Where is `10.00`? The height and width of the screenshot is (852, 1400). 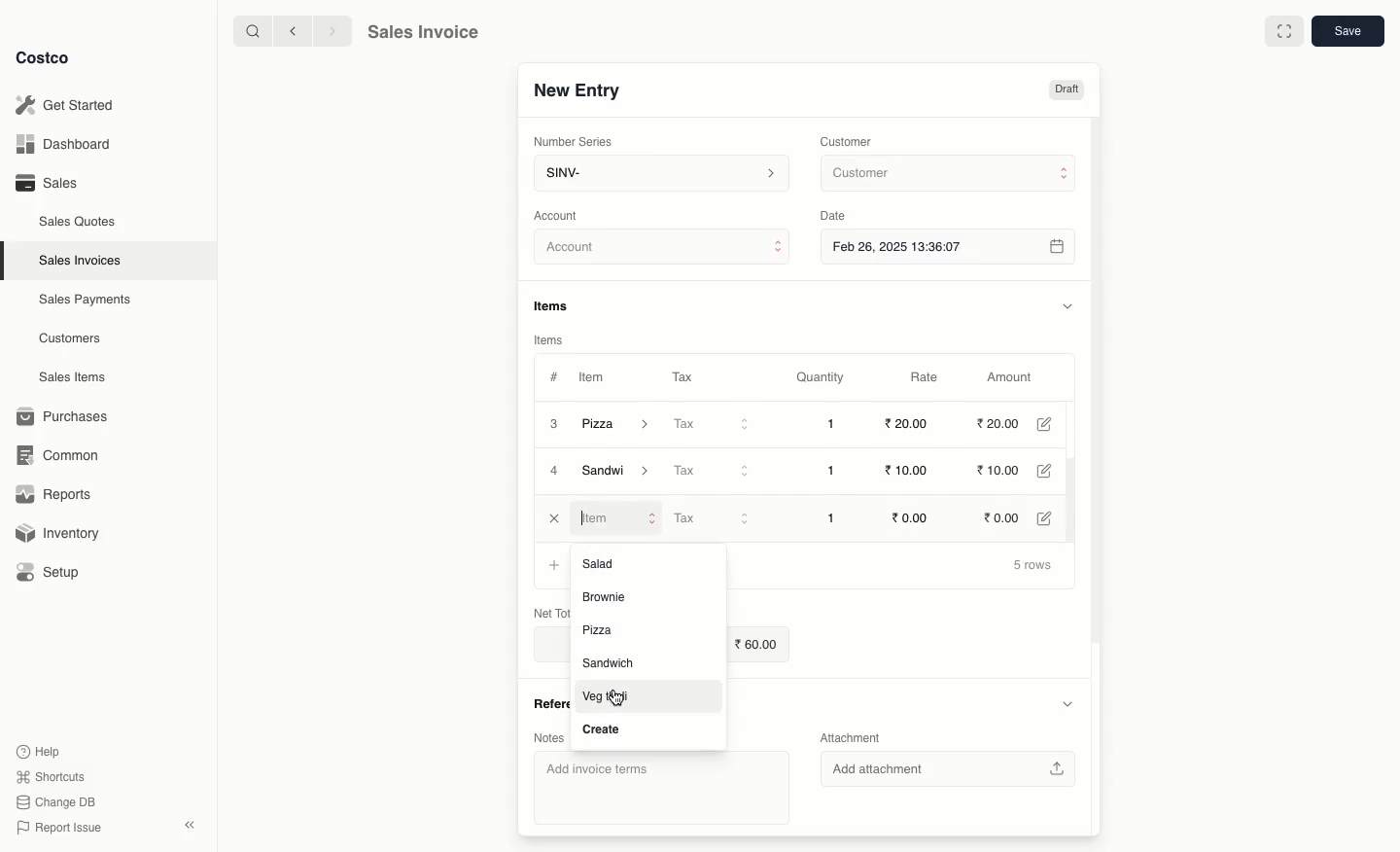
10.00 is located at coordinates (904, 471).